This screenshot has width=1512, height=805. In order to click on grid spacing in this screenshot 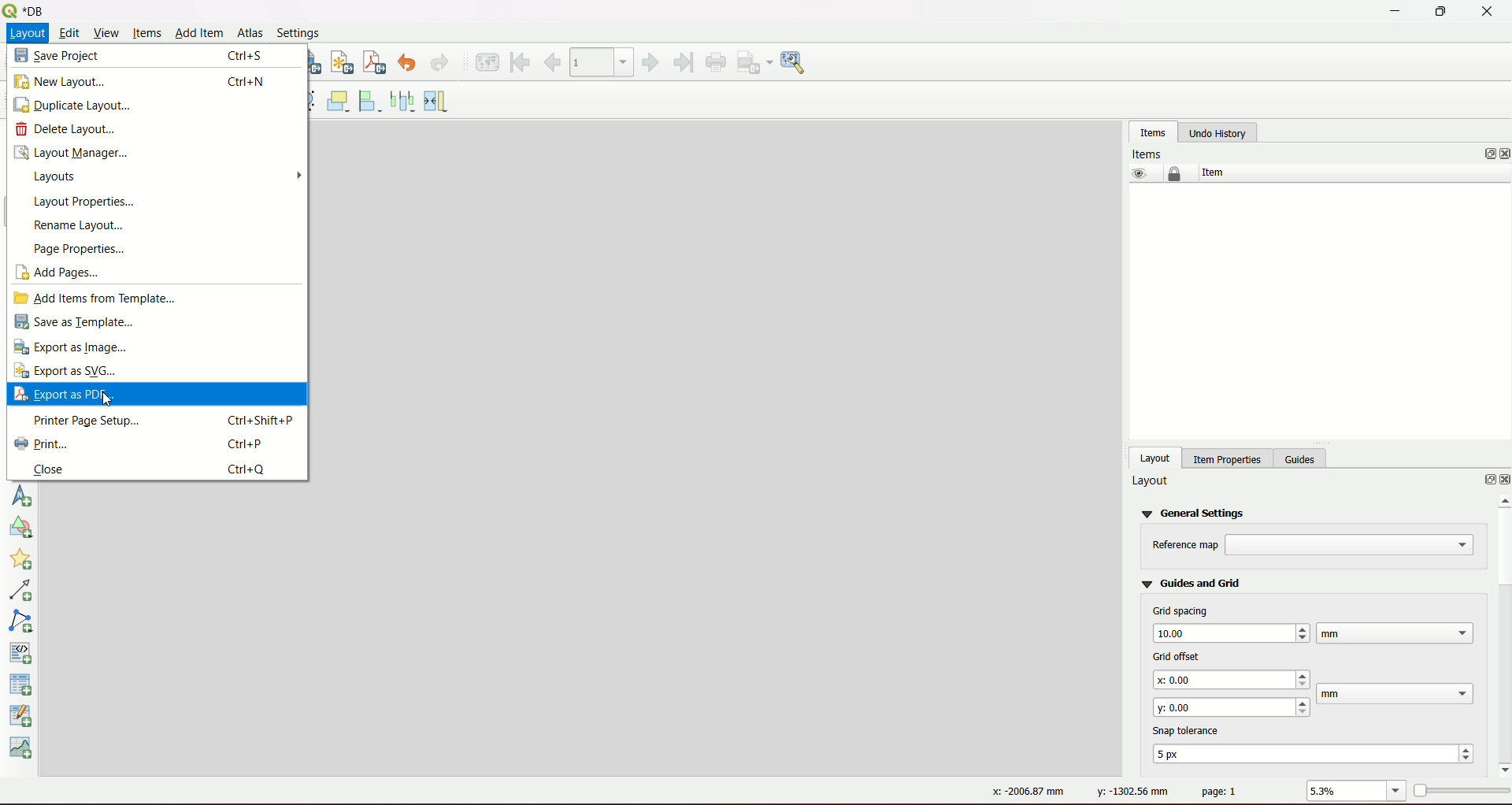, I will do `click(1181, 610)`.